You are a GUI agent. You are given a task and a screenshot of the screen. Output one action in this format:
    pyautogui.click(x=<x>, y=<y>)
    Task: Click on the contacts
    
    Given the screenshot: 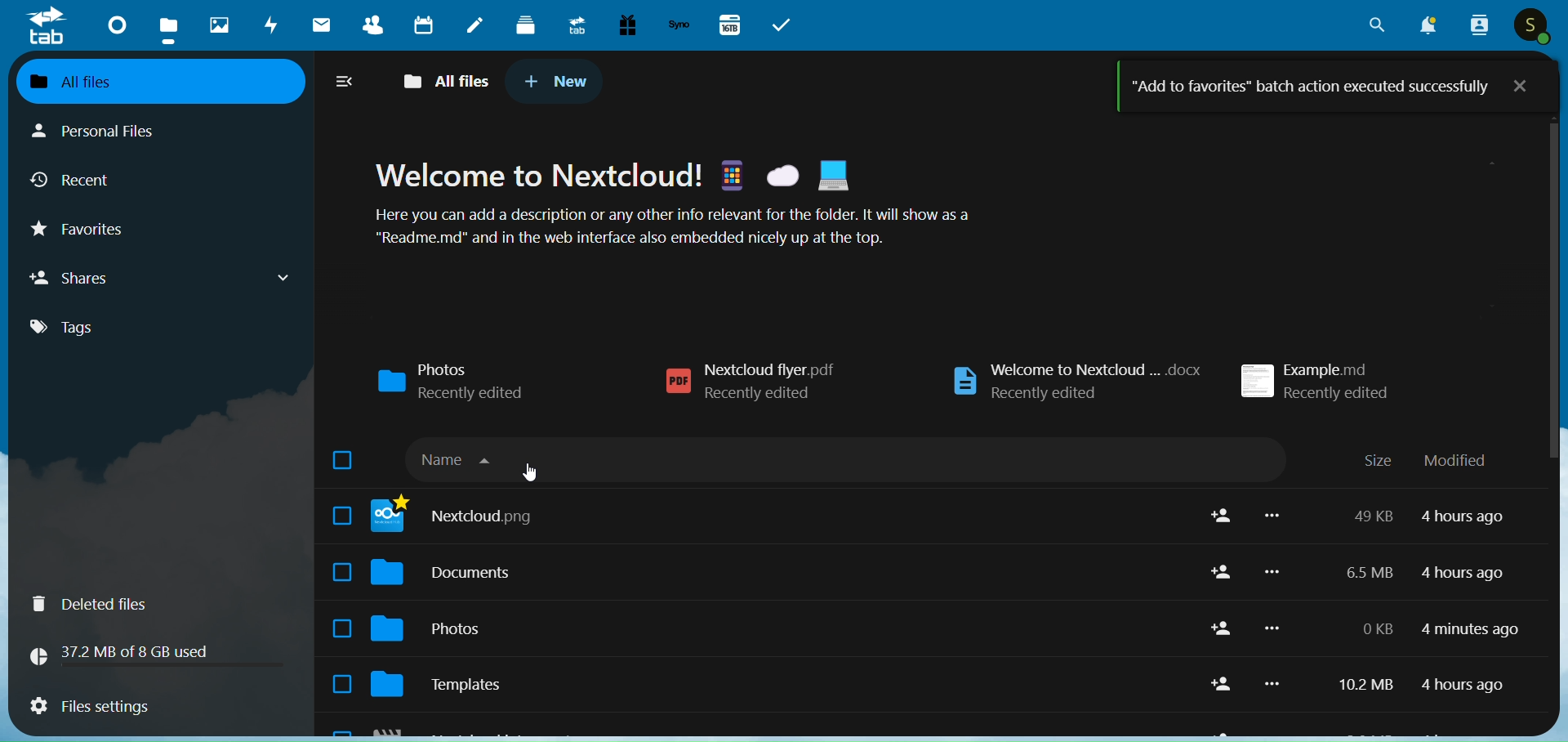 What is the action you would take?
    pyautogui.click(x=367, y=25)
    